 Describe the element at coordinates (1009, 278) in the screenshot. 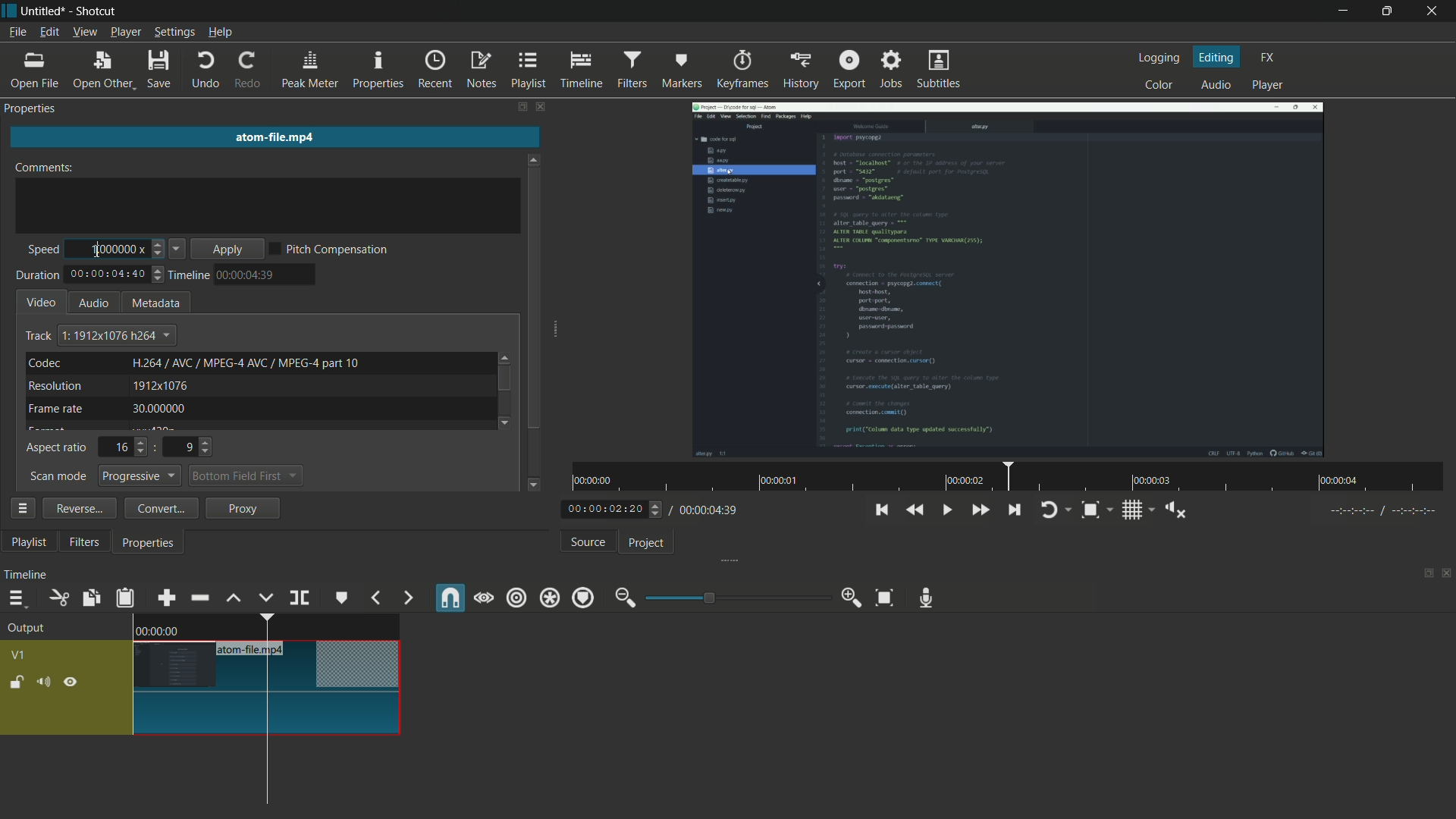

I see `imported video` at that location.